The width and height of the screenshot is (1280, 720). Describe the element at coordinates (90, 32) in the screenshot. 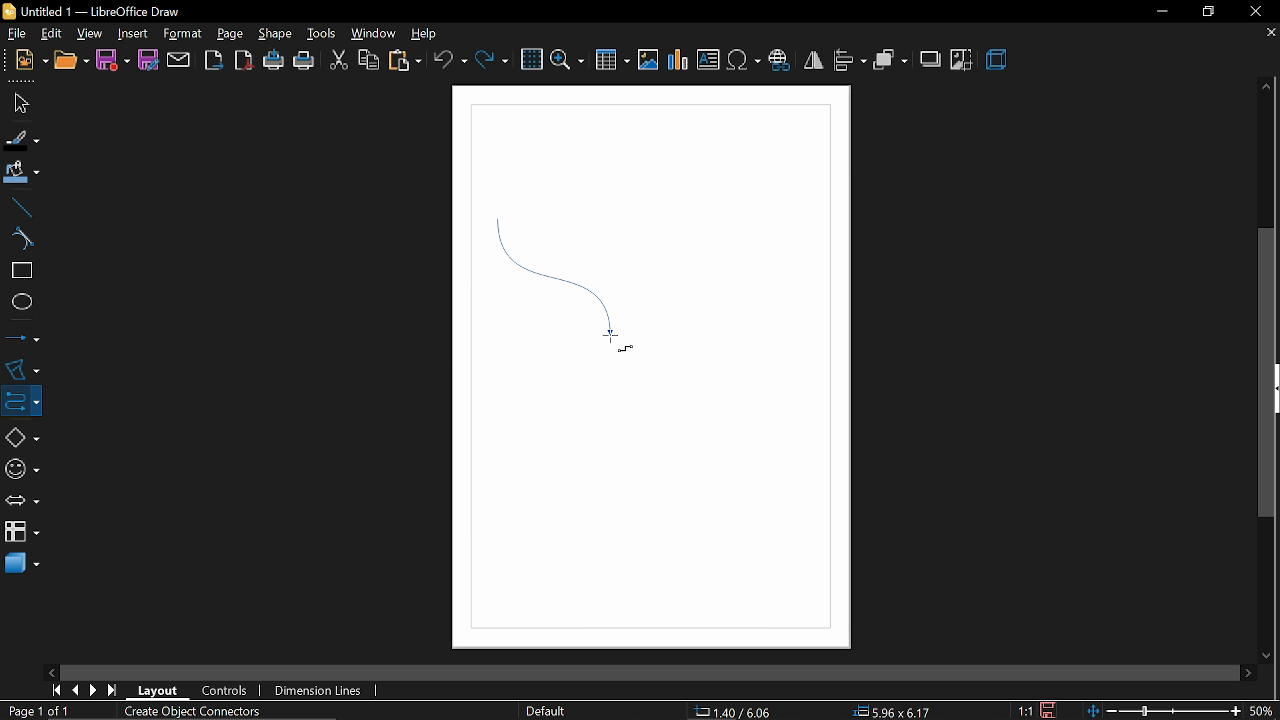

I see `view` at that location.